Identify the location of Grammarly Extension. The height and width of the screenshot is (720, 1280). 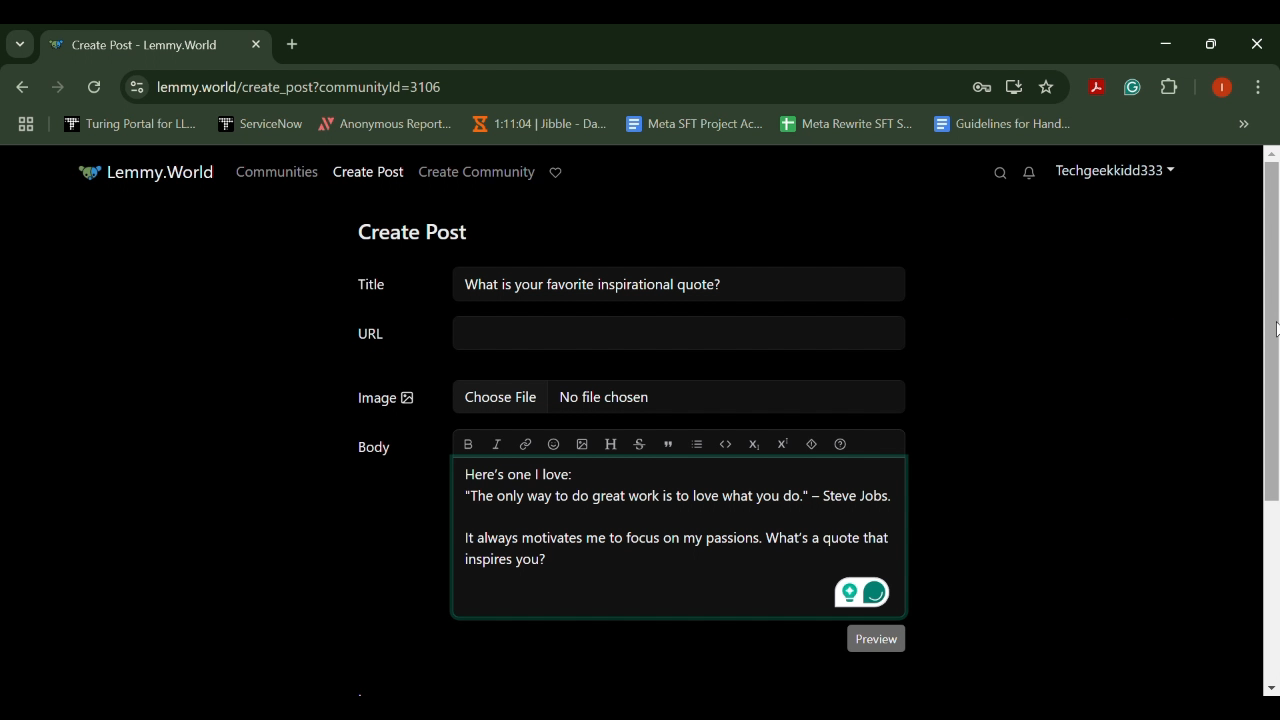
(1130, 88).